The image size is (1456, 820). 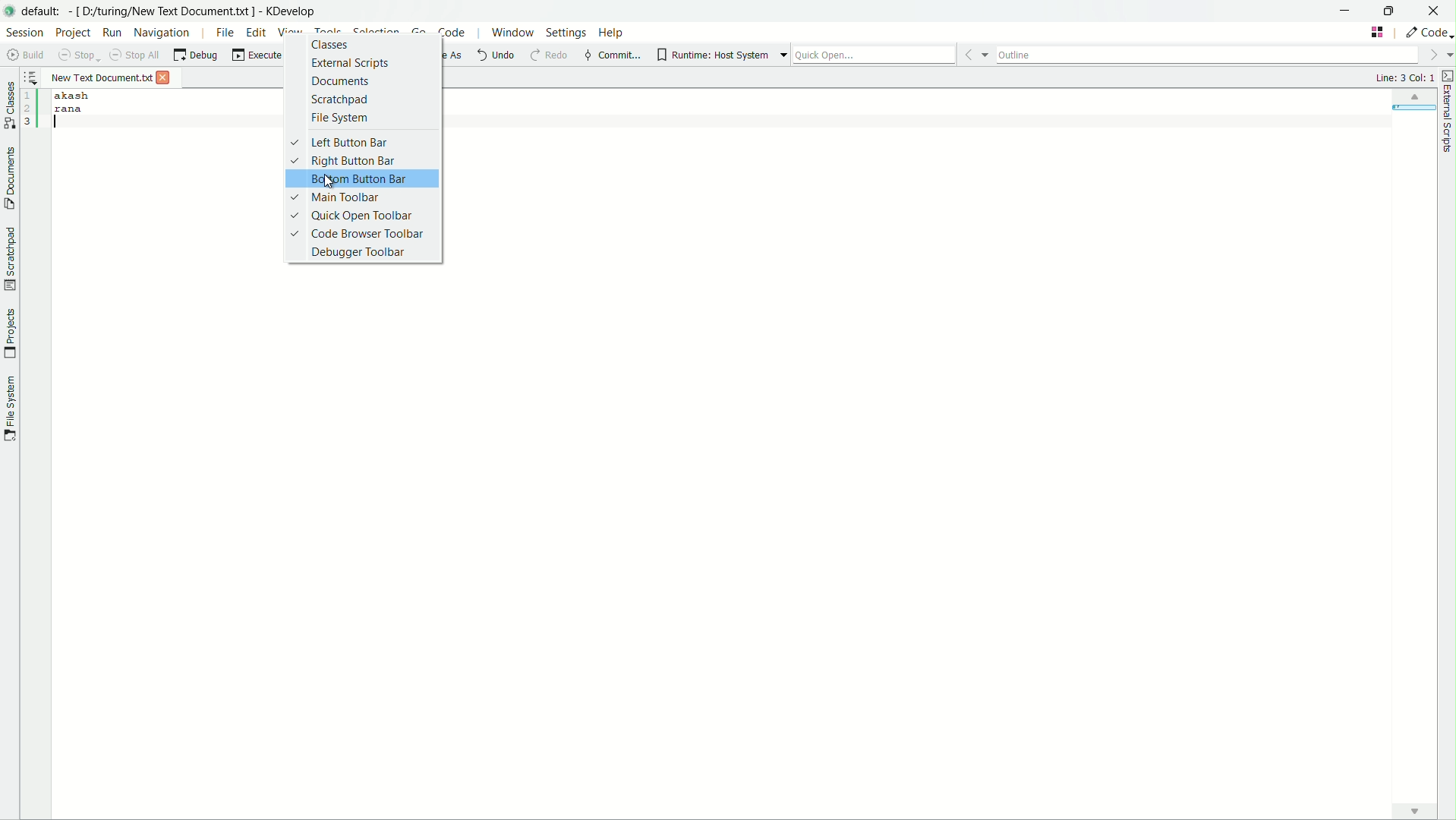 What do you see at coordinates (358, 252) in the screenshot?
I see `debugger toolbar` at bounding box center [358, 252].